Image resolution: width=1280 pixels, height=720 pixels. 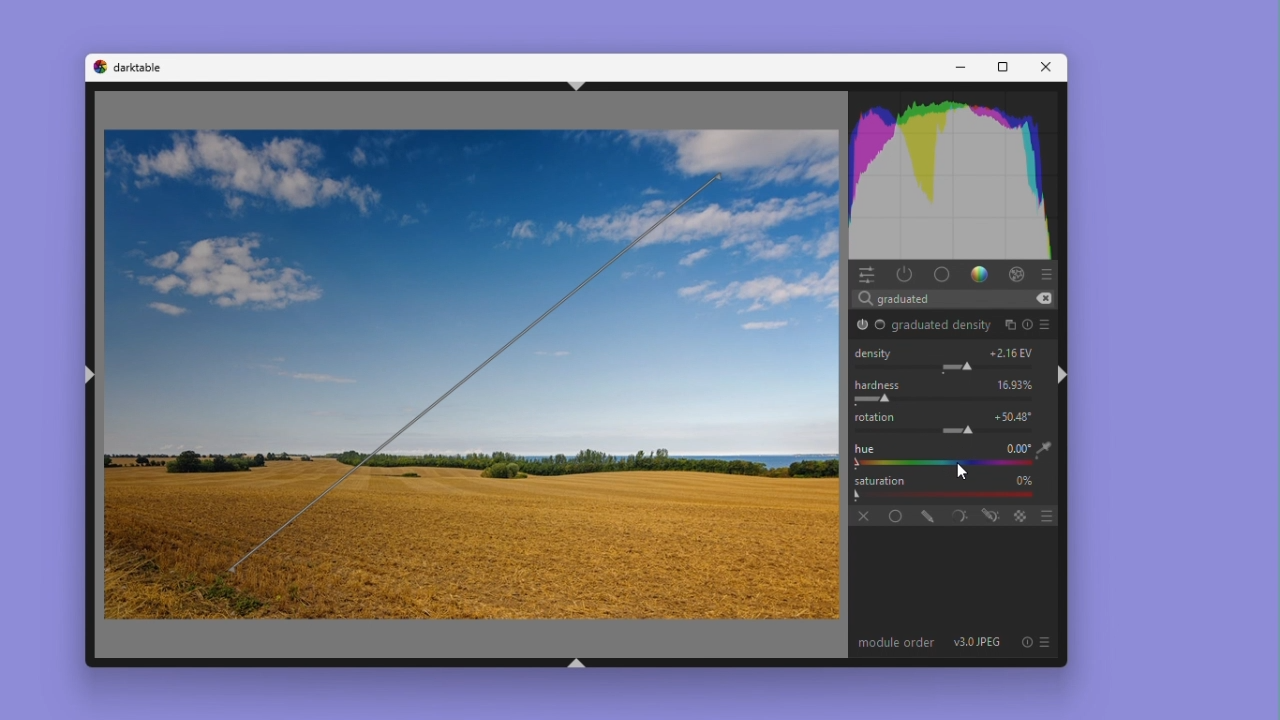 What do you see at coordinates (1064, 374) in the screenshot?
I see `shift+ctrl+r ` at bounding box center [1064, 374].